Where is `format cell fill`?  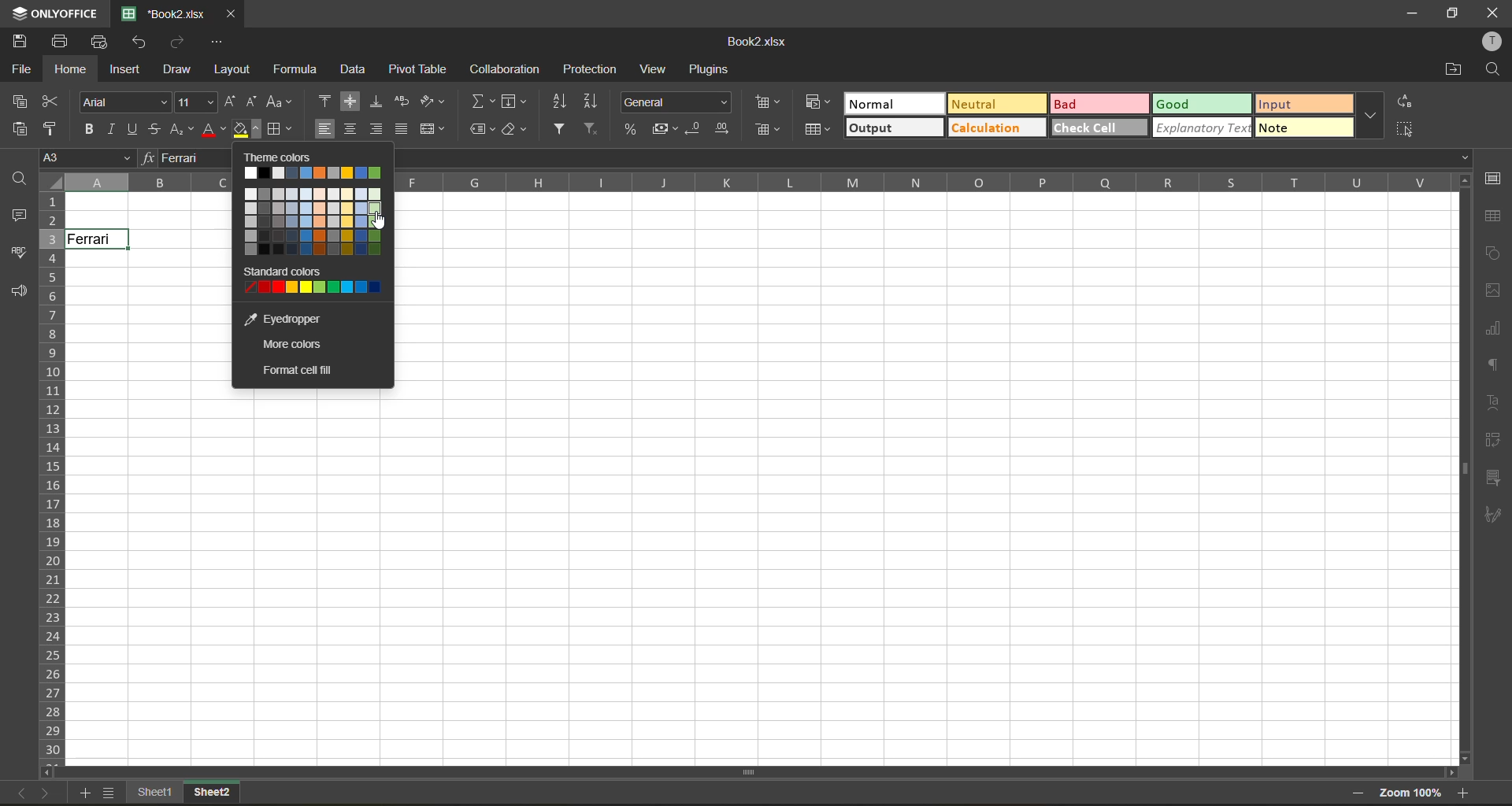
format cell fill is located at coordinates (298, 372).